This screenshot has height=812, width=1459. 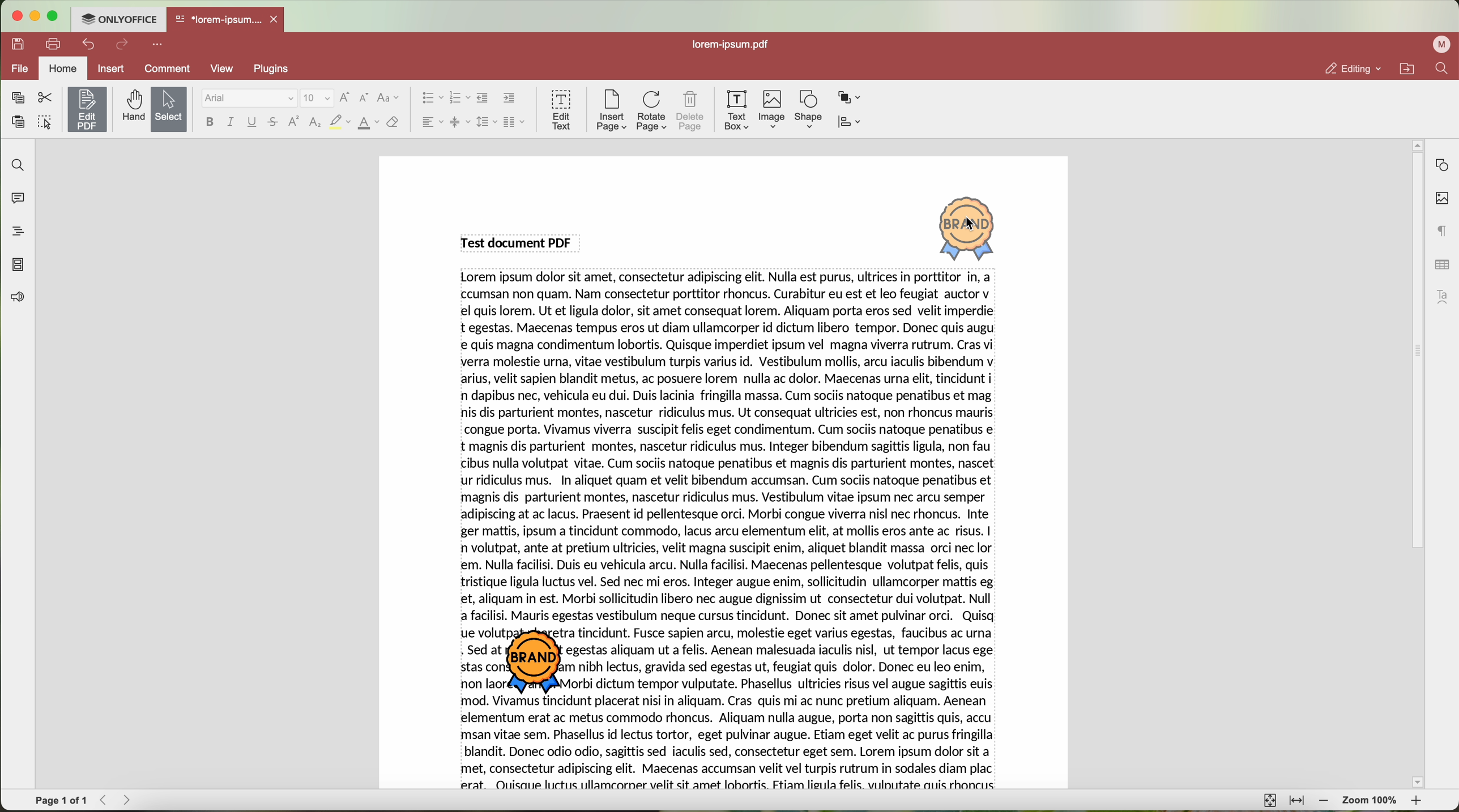 I want to click on shape, so click(x=809, y=110).